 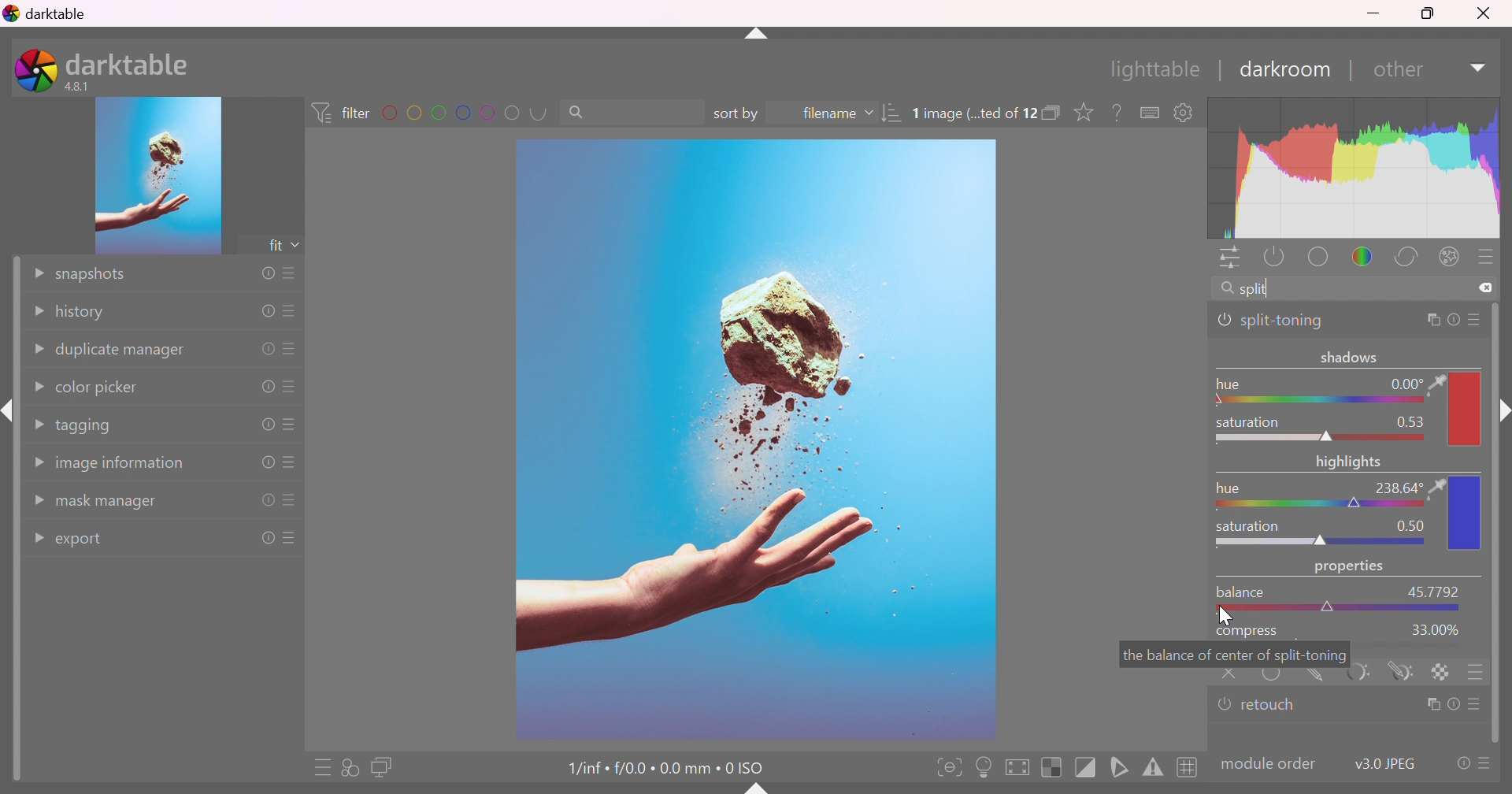 I want to click on effect, so click(x=1451, y=257).